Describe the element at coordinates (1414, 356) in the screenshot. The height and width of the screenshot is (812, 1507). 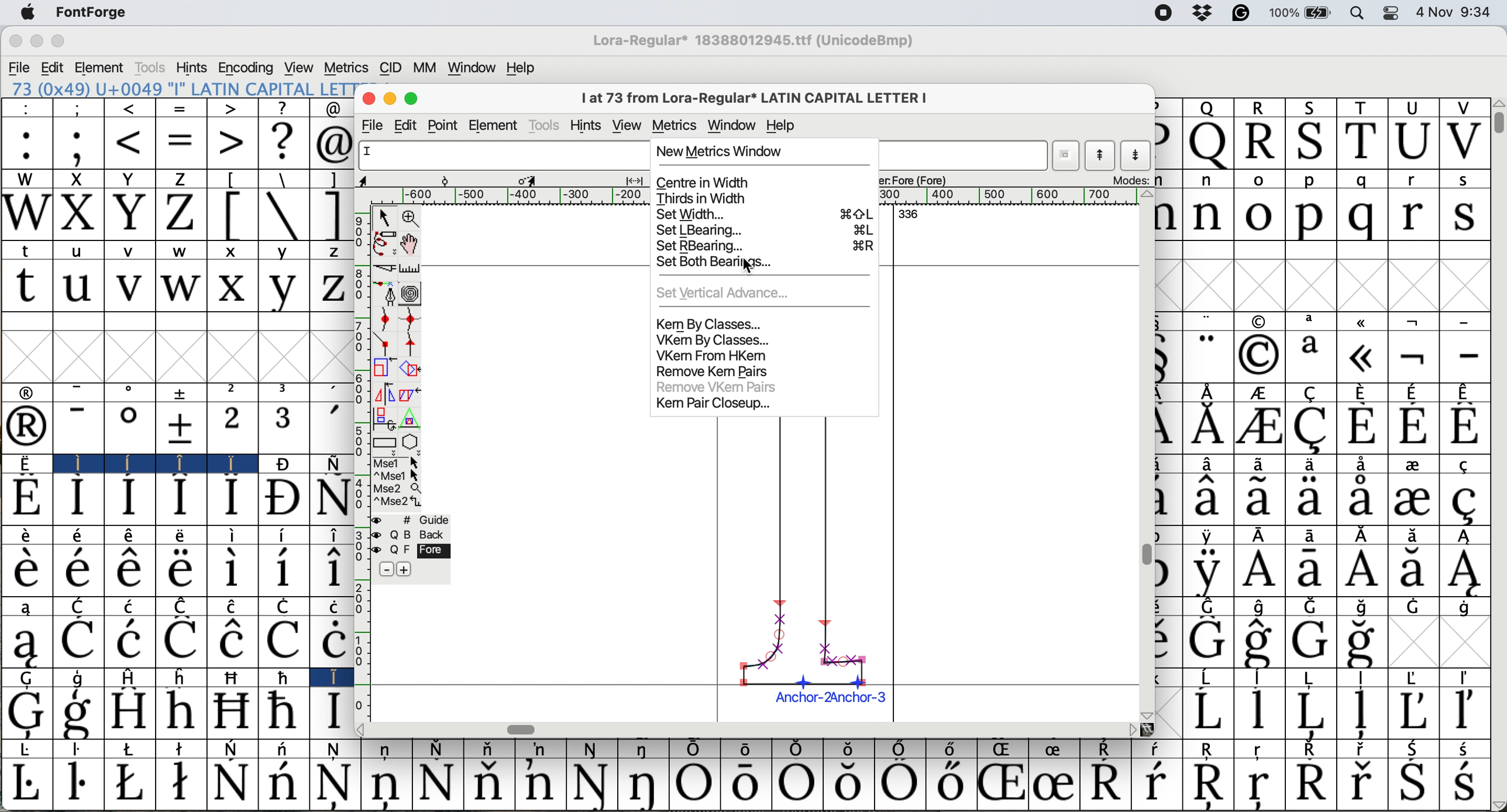
I see `Symbol` at that location.